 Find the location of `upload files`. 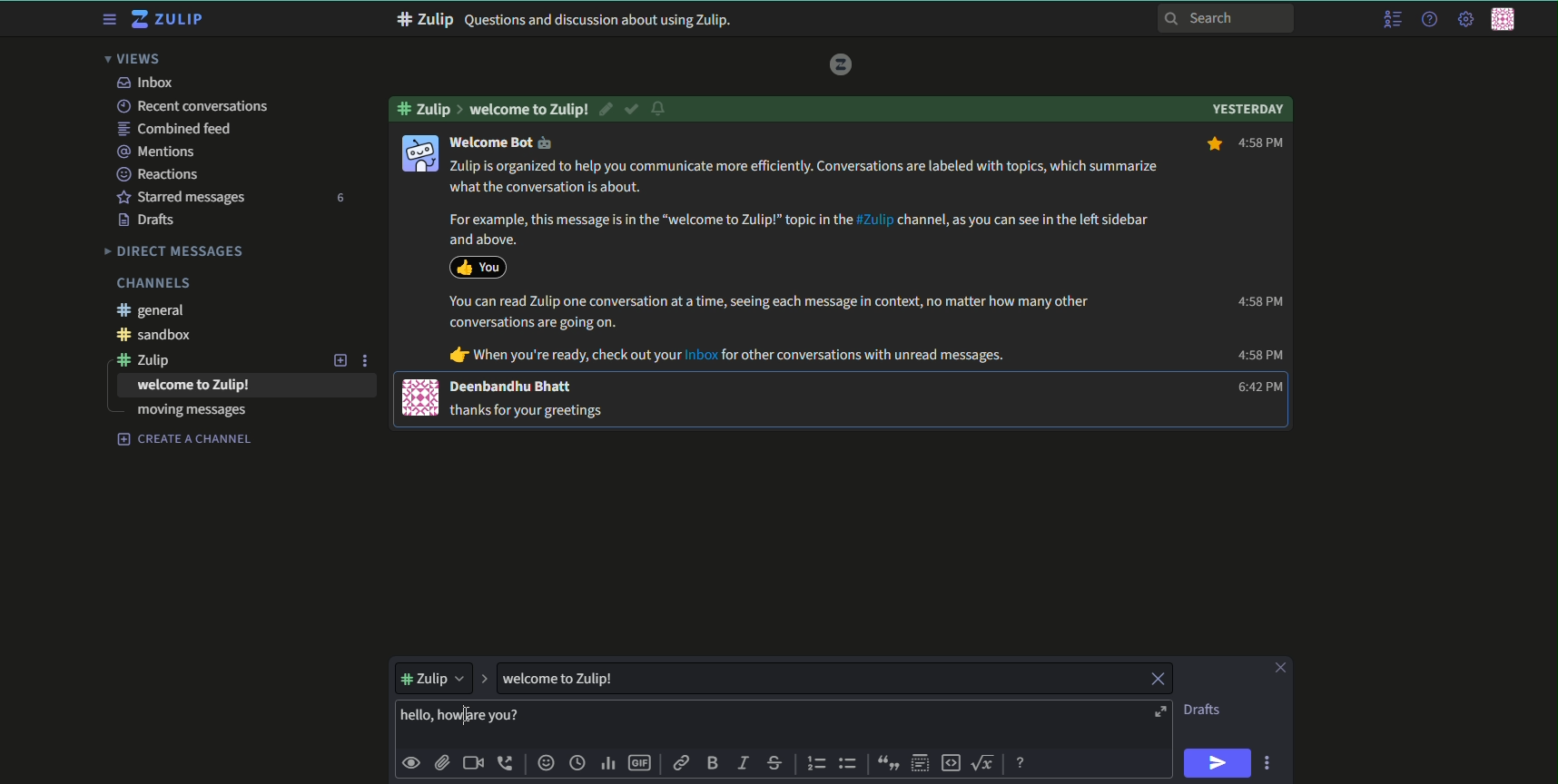

upload files is located at coordinates (441, 761).